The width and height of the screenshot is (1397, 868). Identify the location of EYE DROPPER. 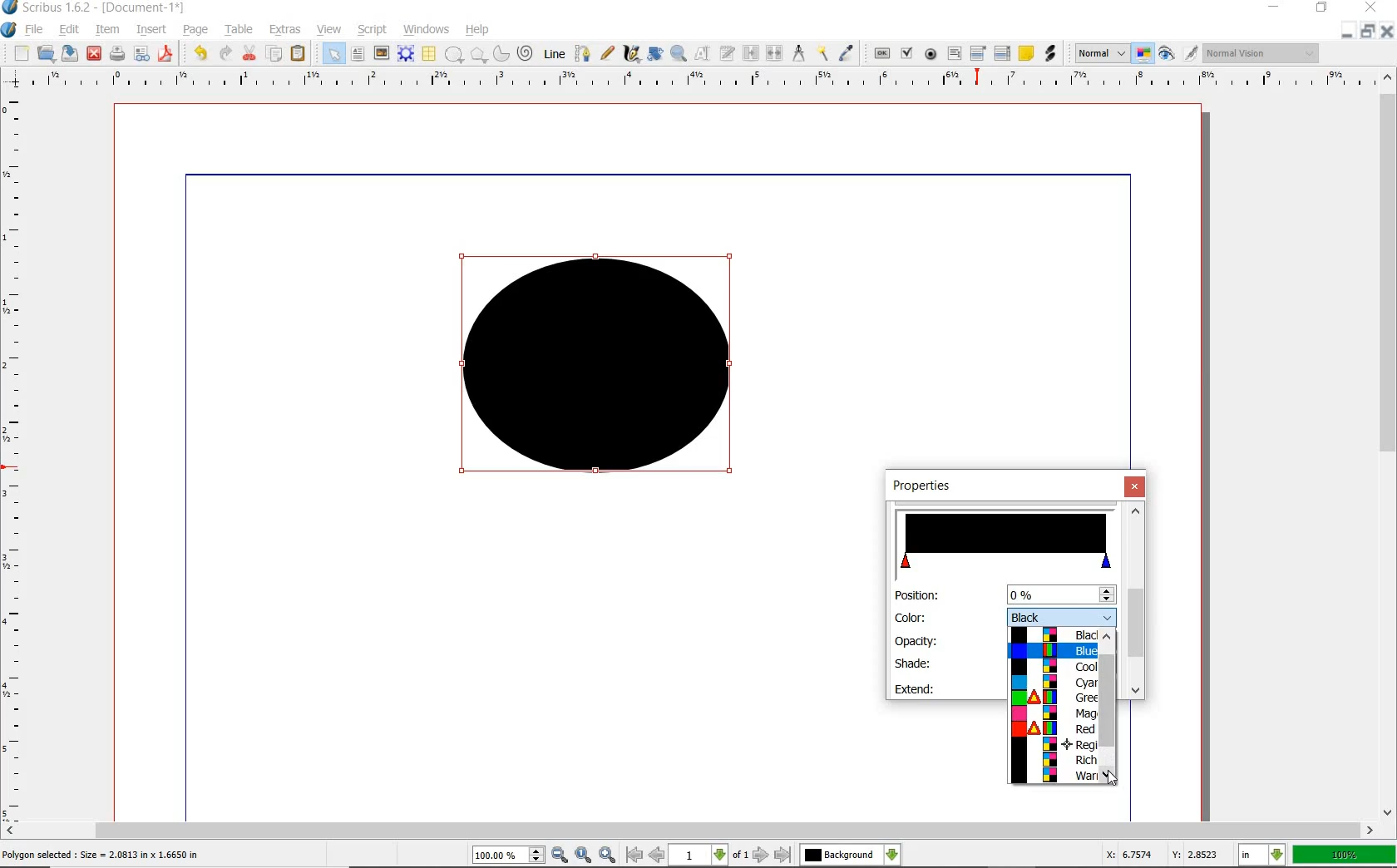
(847, 54).